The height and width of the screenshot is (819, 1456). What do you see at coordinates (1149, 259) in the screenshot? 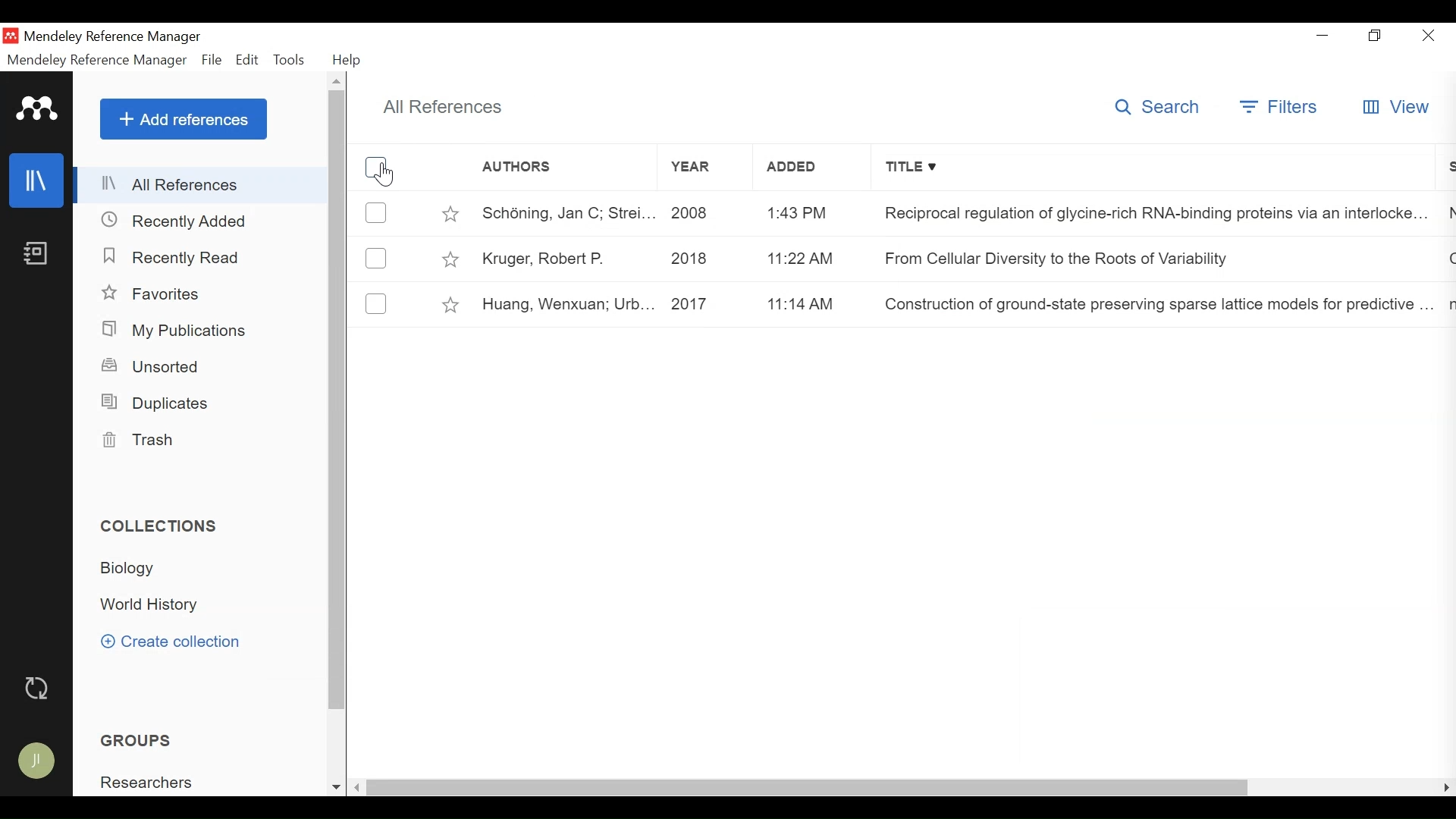
I see `Journal Title` at bounding box center [1149, 259].